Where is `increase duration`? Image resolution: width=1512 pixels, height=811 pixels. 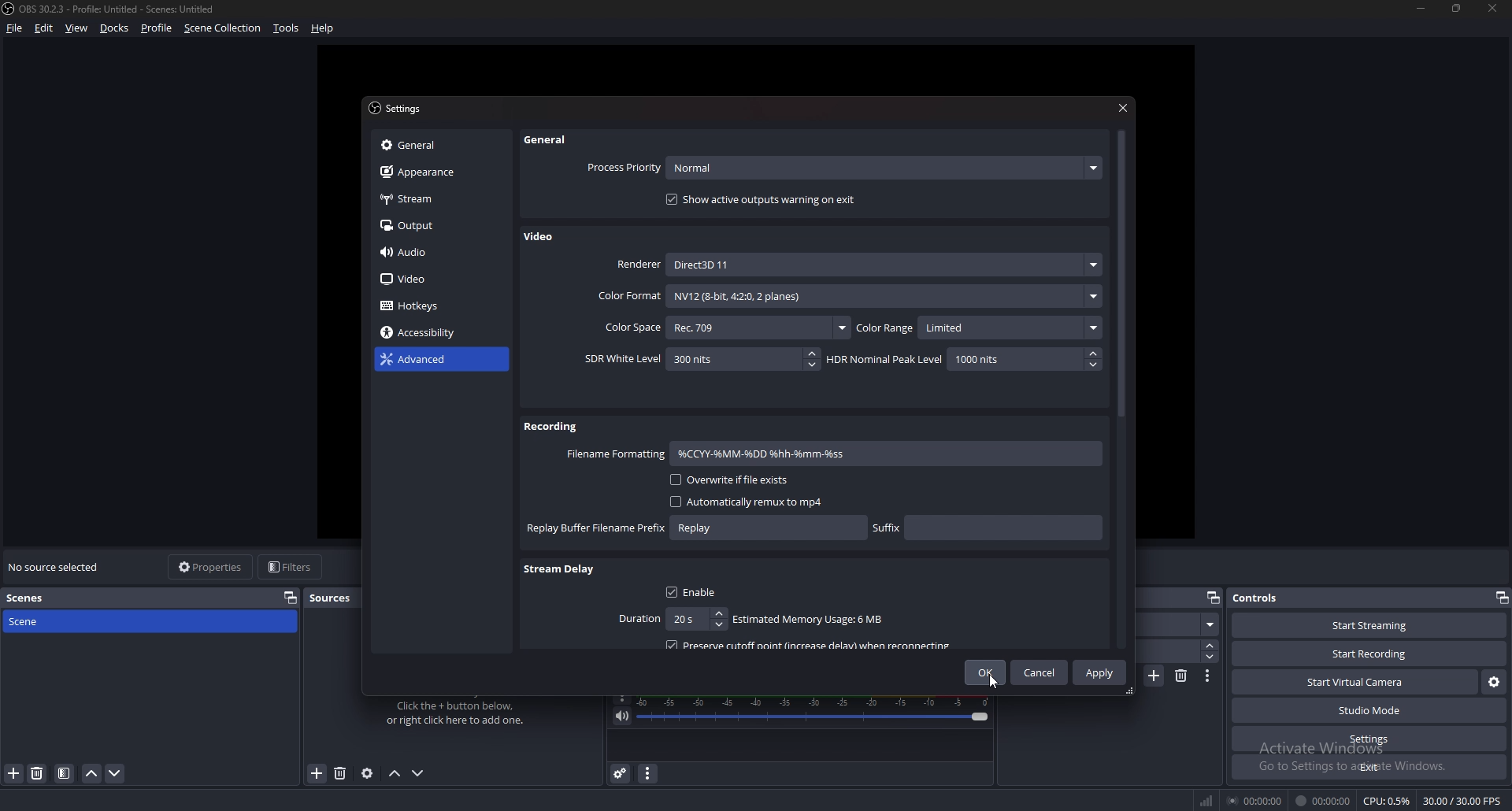 increase duration is located at coordinates (1210, 646).